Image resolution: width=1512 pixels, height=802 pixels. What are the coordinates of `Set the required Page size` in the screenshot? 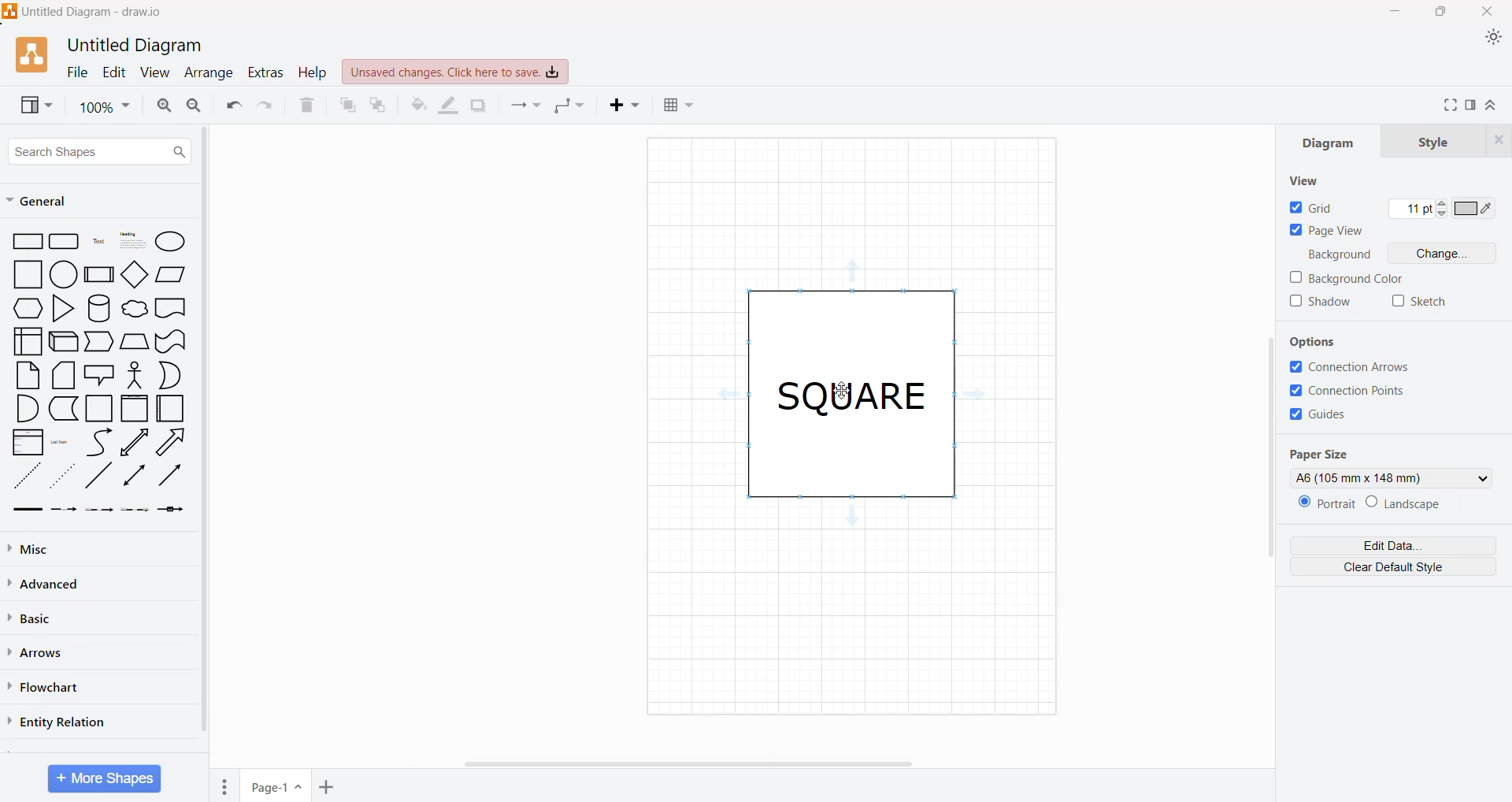 It's located at (1391, 477).